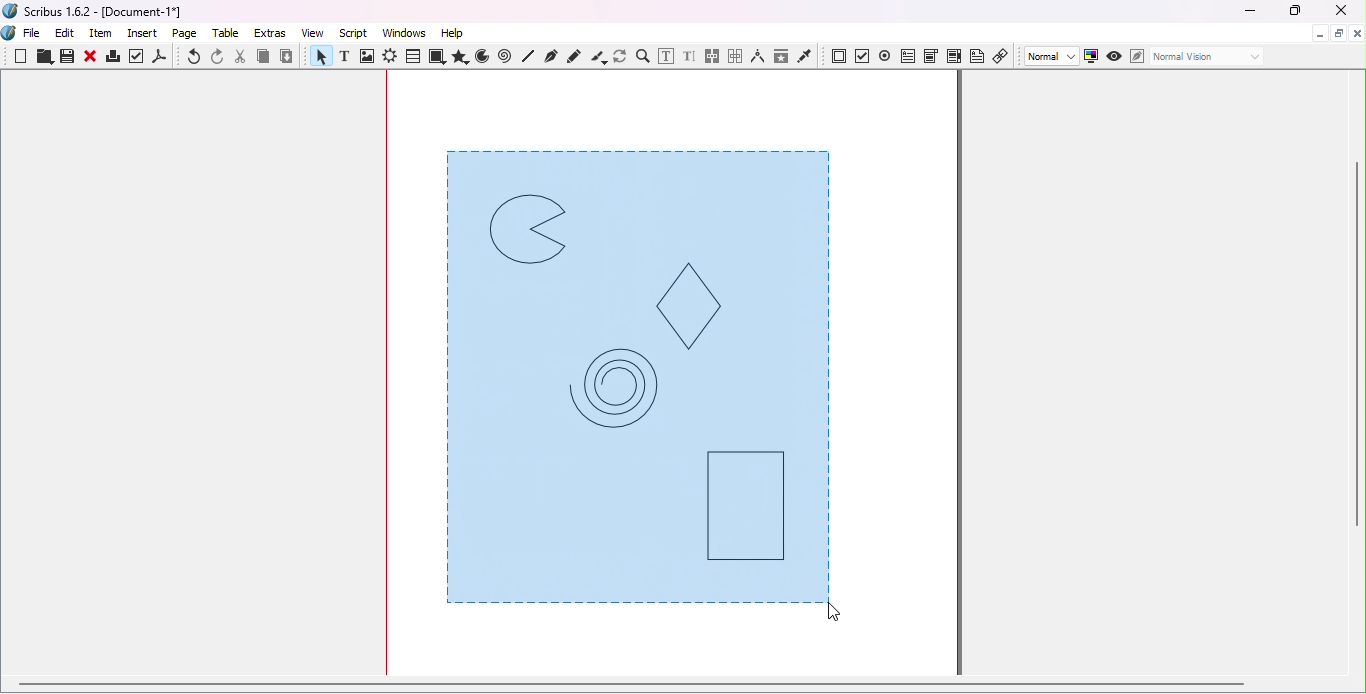  Describe the element at coordinates (161, 59) in the screenshot. I see `save as PDF` at that location.